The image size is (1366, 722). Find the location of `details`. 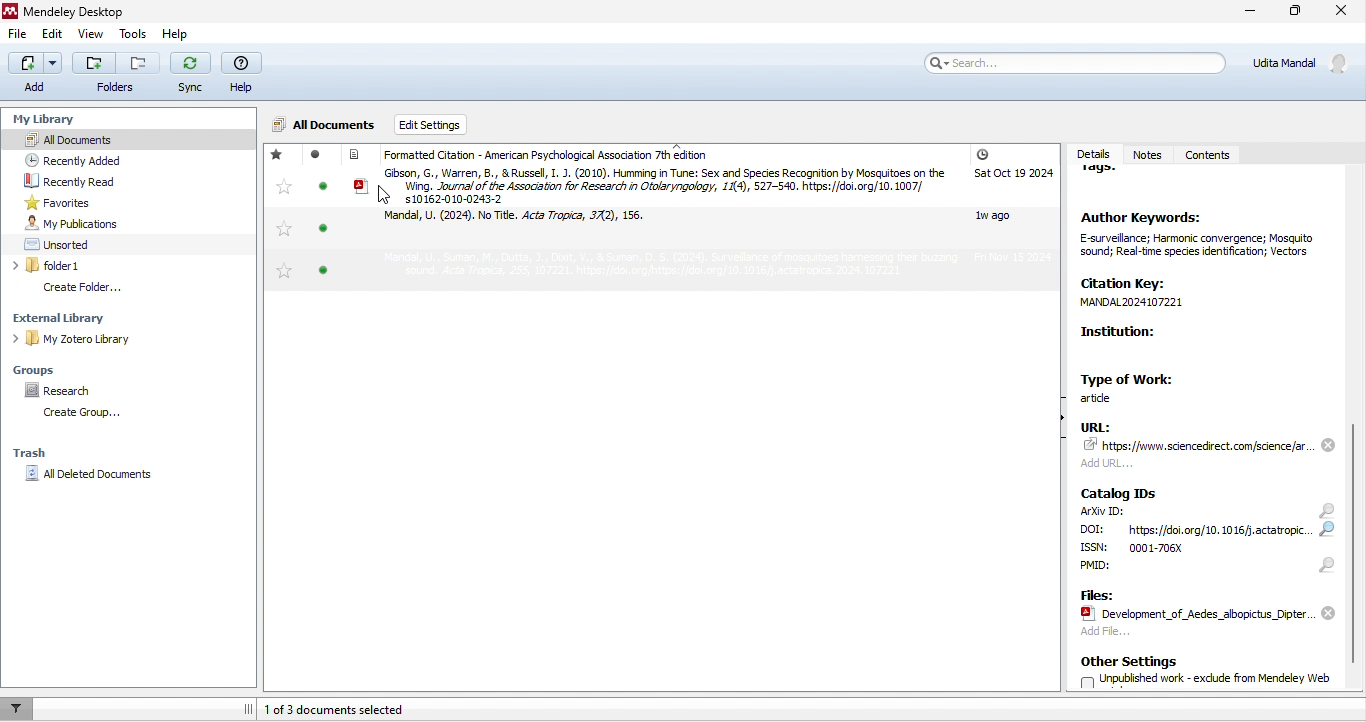

details is located at coordinates (1091, 149).